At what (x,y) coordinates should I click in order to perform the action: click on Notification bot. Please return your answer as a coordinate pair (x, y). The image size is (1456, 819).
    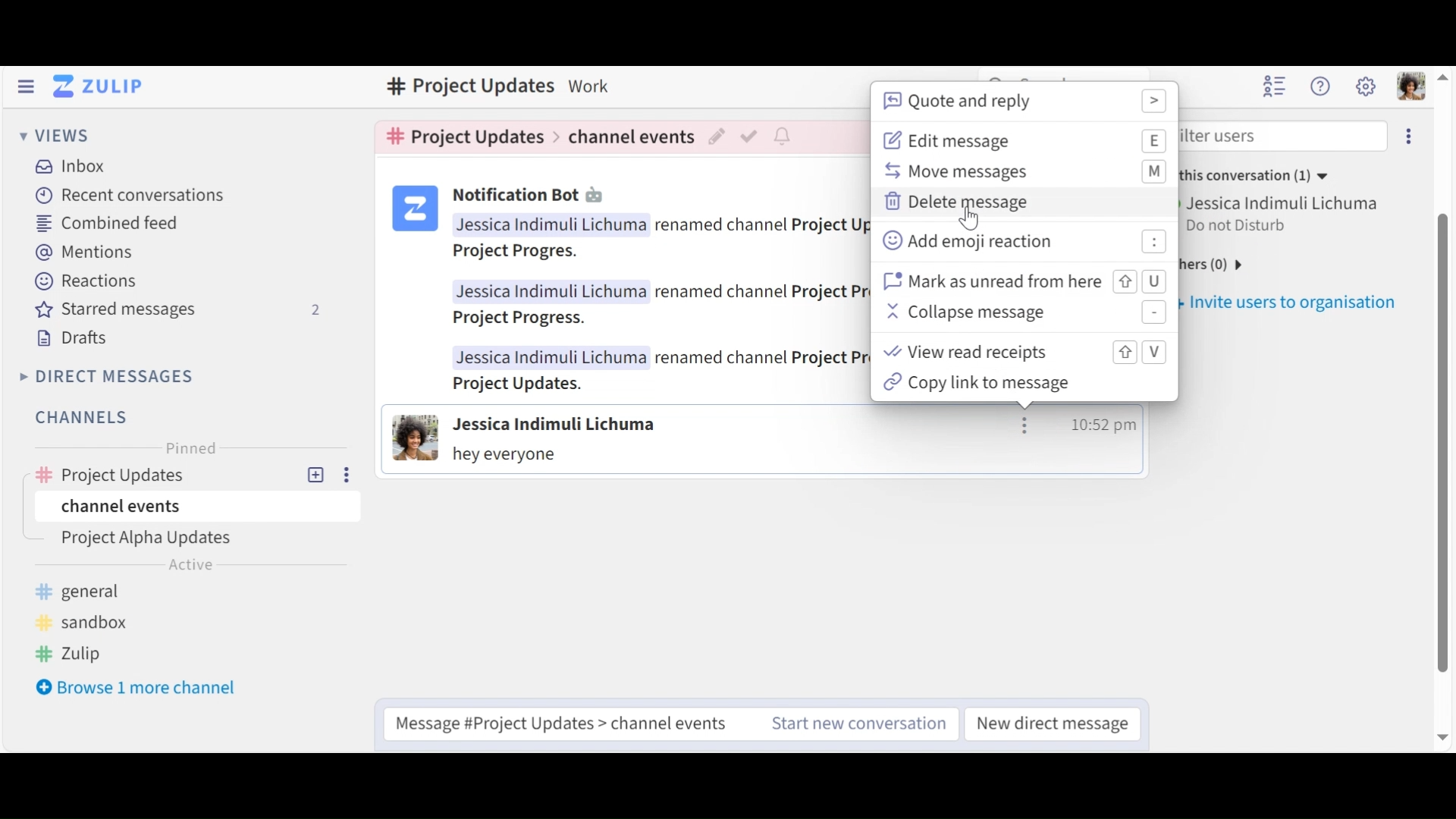
    Looking at the image, I should click on (532, 196).